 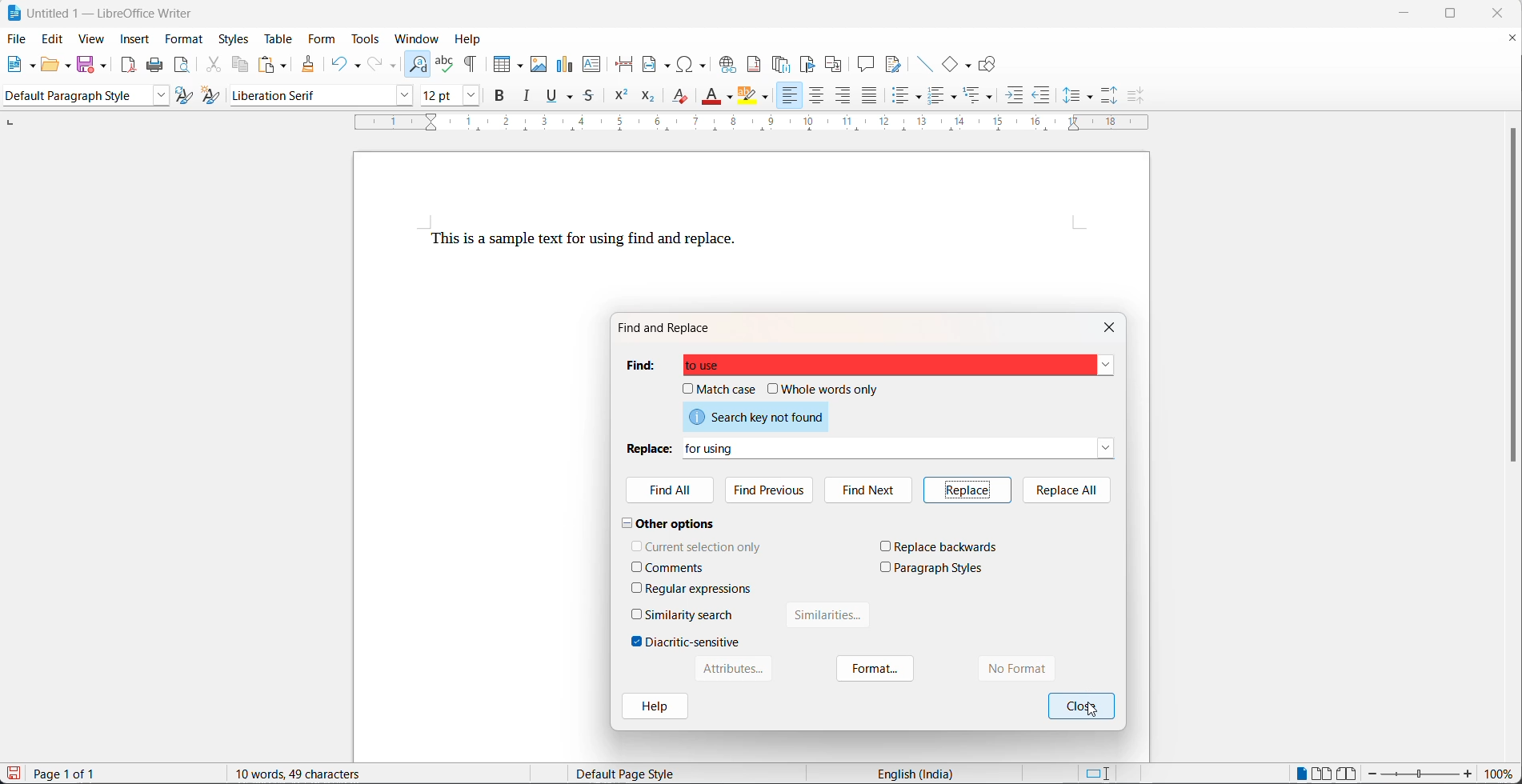 What do you see at coordinates (1094, 710) in the screenshot?
I see `cursor` at bounding box center [1094, 710].